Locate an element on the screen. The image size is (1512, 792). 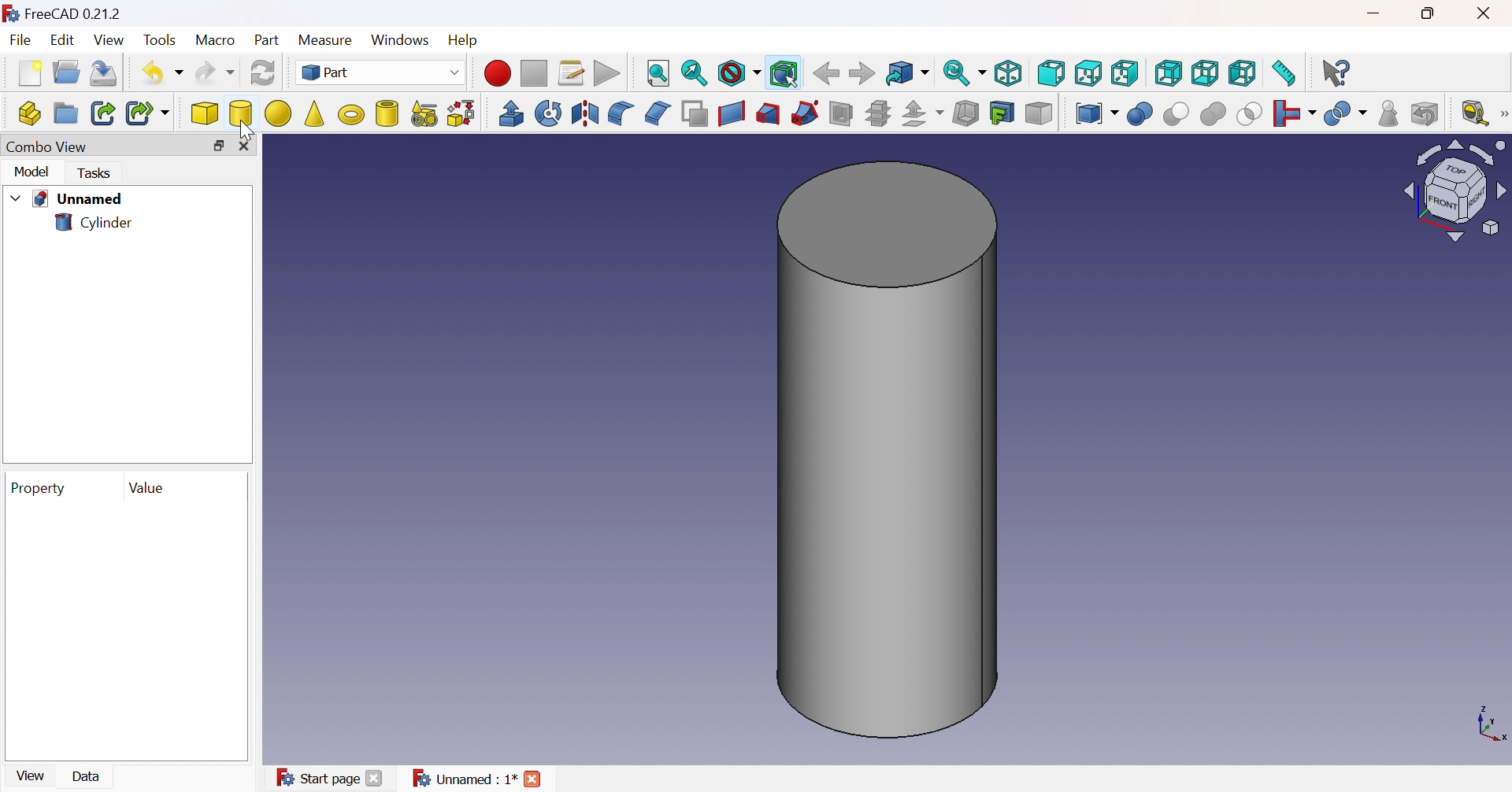
Thickness is located at coordinates (965, 114).